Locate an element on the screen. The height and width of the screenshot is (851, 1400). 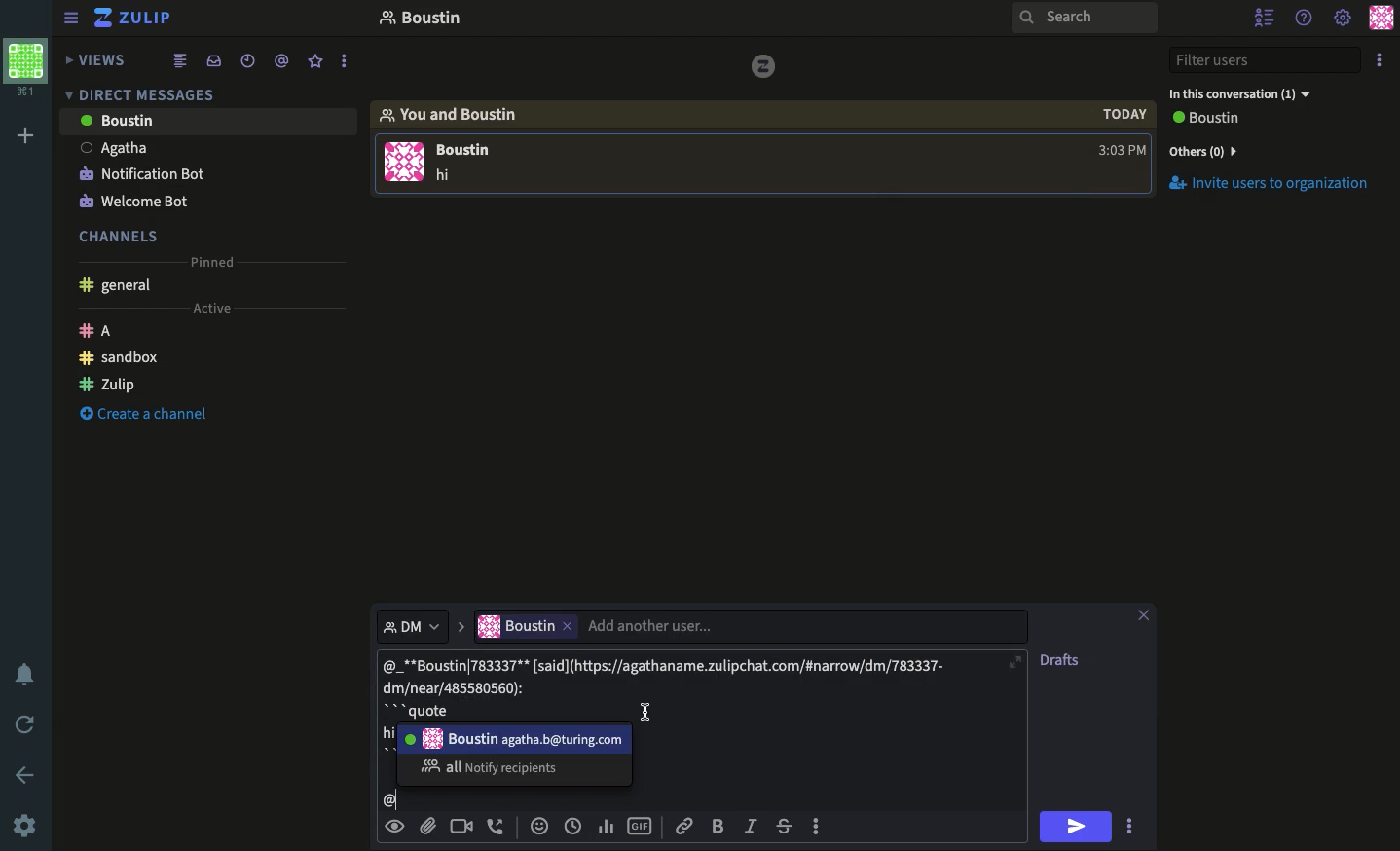
drafts is located at coordinates (1063, 661).